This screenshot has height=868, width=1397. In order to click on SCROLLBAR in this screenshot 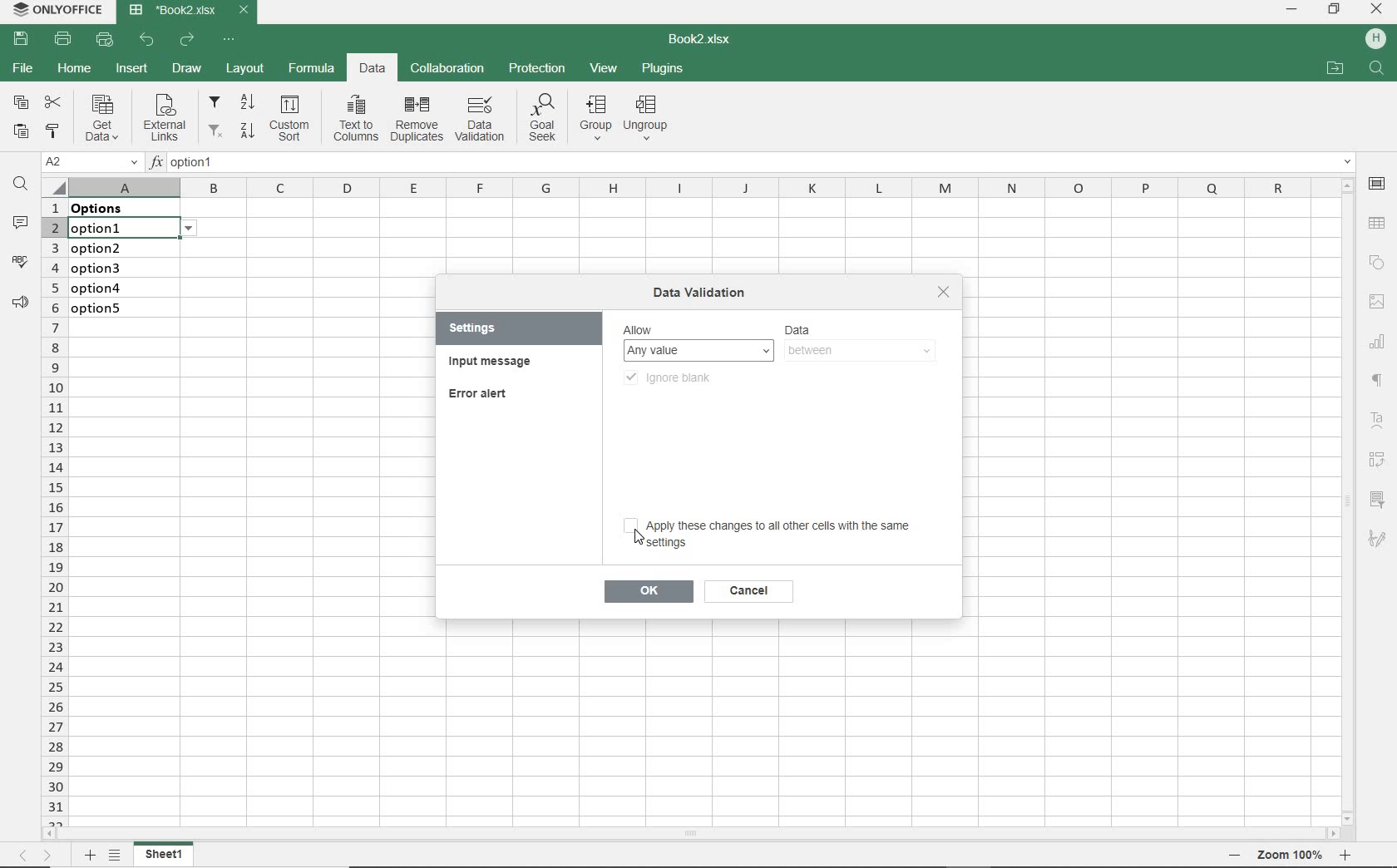, I will do `click(691, 832)`.